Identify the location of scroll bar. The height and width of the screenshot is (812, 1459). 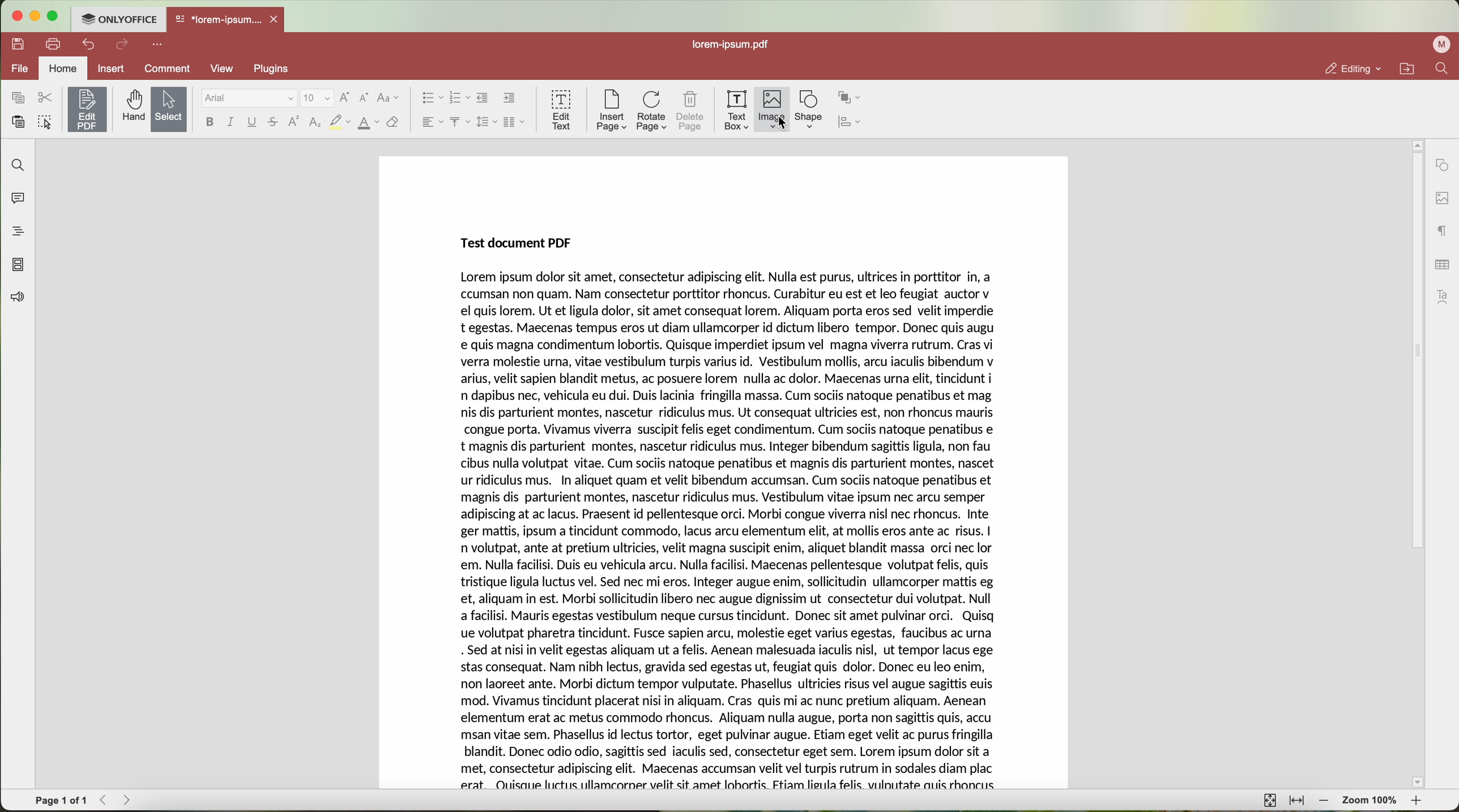
(1411, 464).